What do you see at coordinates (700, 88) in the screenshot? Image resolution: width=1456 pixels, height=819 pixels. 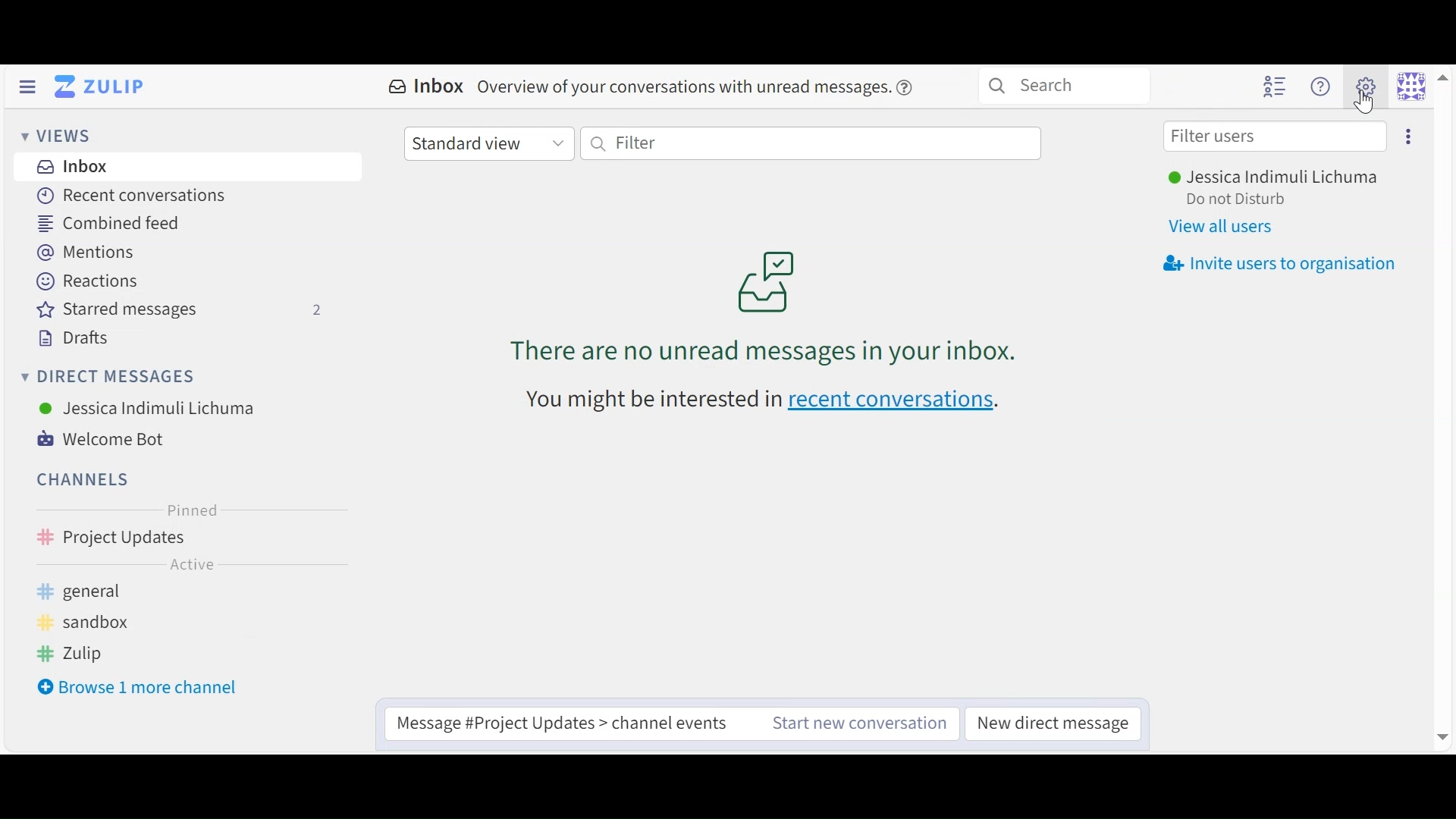 I see `overview of conversations` at bounding box center [700, 88].